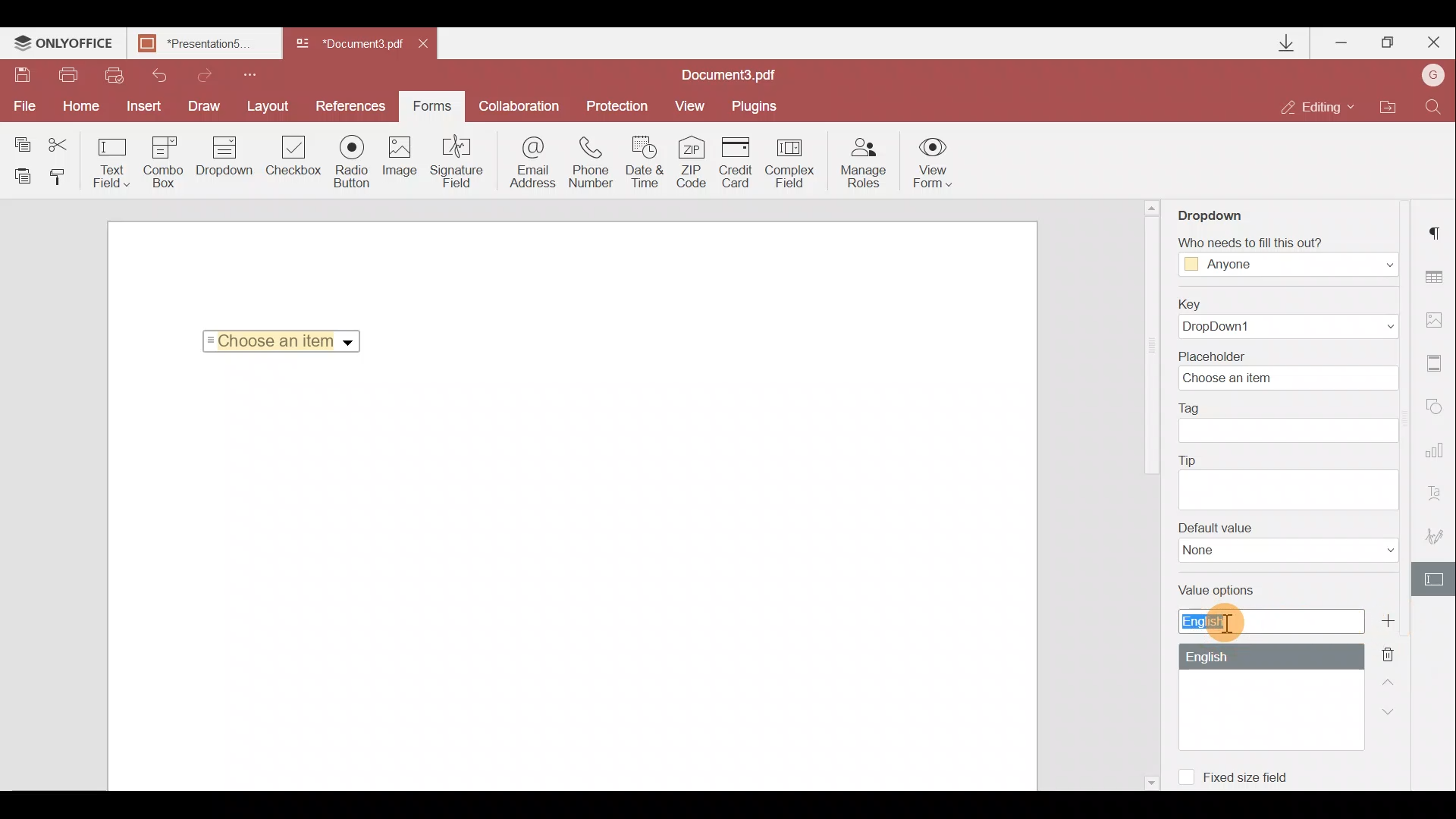 The image size is (1456, 819). What do you see at coordinates (1343, 39) in the screenshot?
I see `Minimize` at bounding box center [1343, 39].